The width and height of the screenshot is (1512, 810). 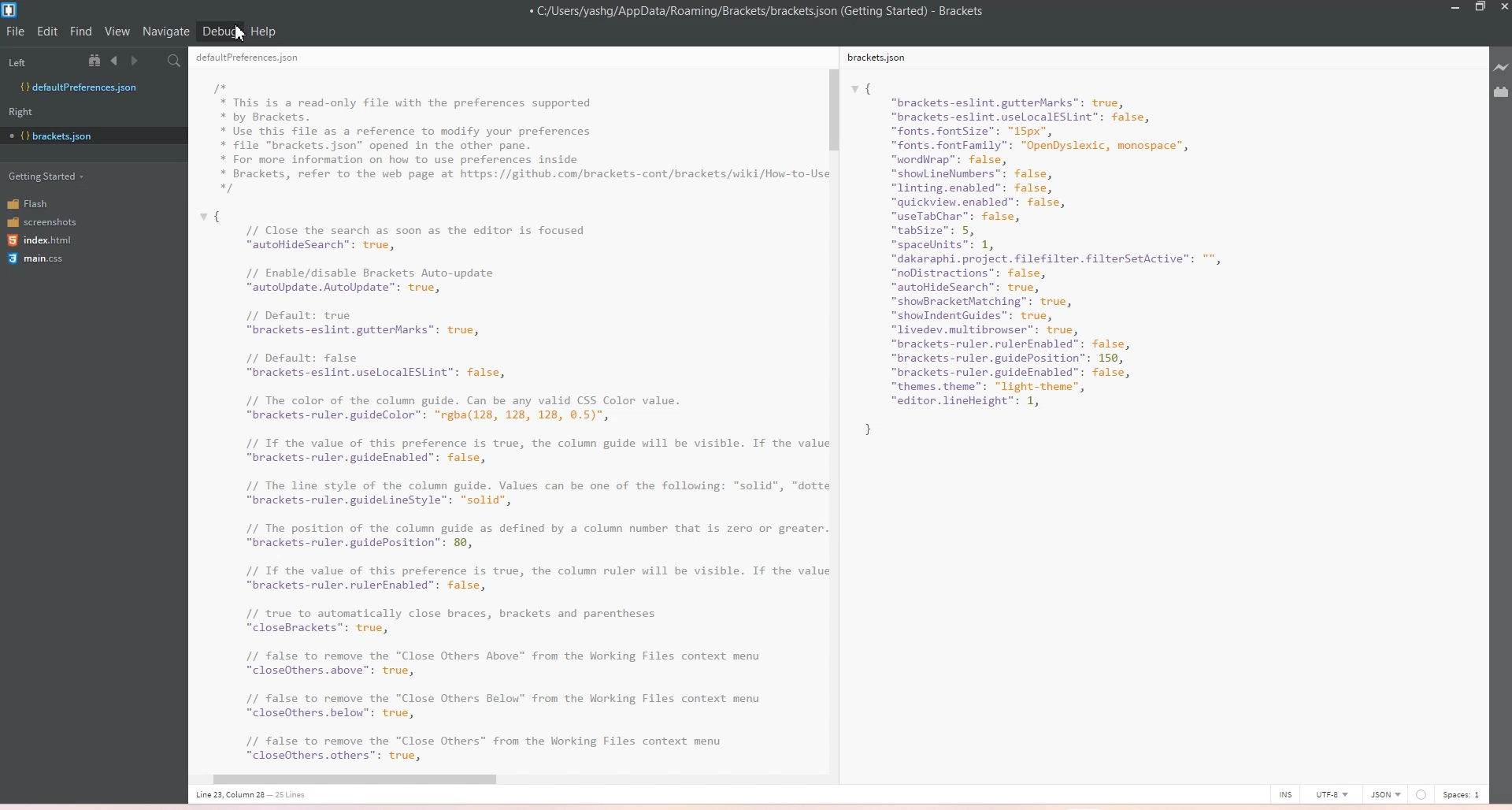 What do you see at coordinates (505, 421) in the screenshot?
I see `defaultPreferences.json

I”

* This is a read-only file with the preferences supported

* by Brackets.

* Use this file as a reference to modify your preferences

* file "brackets.json" opened in the other pane.

* For more information on how to use preferences inside

* Brackets, refer to the web page at https://github.com/brackets-cont/brackets/wiki/How-to-Us

*

vi

// Close the search as soon as the editor is focused
“autoHideSearch”: true,
// Enable/disable Brackets Auto-update
“autoUpdate. AutoUpdate”: true,
// Default: true
“brackets-eslint.gutterMarks”: true,
// Default: false
“brackets-eslint.uselocalESLint": false,
// The color of the column guide. Can be any valid CSS Color value.
“brackets-ruler.guideColor”: "rgba(128, 128, 128, 0.5)",
// Tf the value of this preference is true, the column guide will be visible. Tf the val.
“brackets-ruler.guideEnabled”: false,
// The line style of the column guide. Values can be one of the following: "solid", "dott
“brackets-ruler.guidelineStyle": "solid",
// The position of the column guide as defined by a column number that is zero or greater
“brackets-ruler.guidePosition”: 80,
// Tf the value of this preference is true, the column ruler will be visible. Tf the val.
“brackets-ruler.rulerEnabled”: false,
// true to automatically close braces, brackets and parentheses
“closeBrackets”: true,
// false to remove the "Close Others Above” from the Working Files context menu
“closeOthers.above”: true,
// false to remove the "Close Others Below” from the Working Files context menu
“closeOthers.below": true,
// false to remove the "Close Others” from the Working Files context menu
“closeOthers.others”: true,` at bounding box center [505, 421].